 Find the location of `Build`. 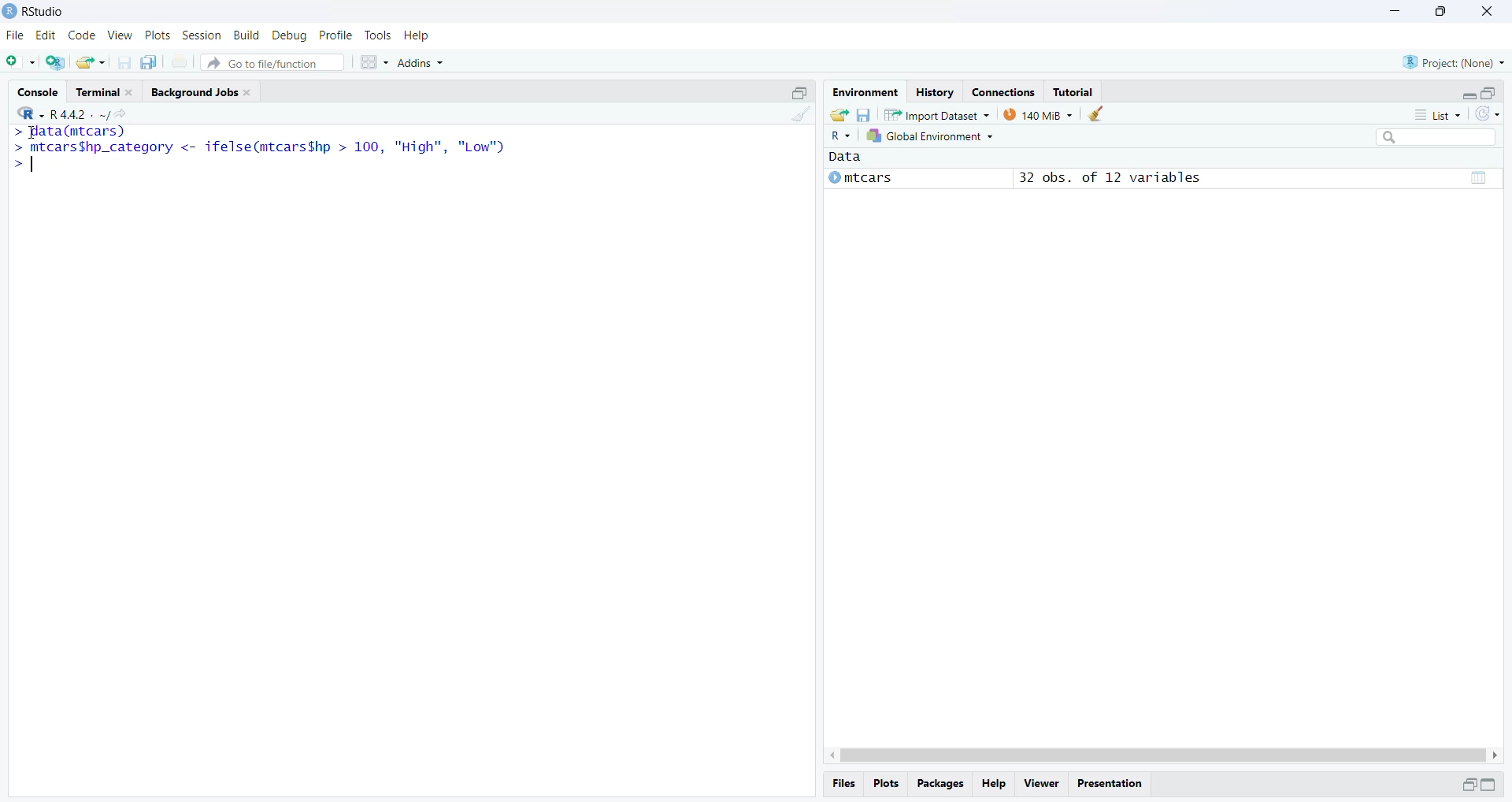

Build is located at coordinates (248, 35).